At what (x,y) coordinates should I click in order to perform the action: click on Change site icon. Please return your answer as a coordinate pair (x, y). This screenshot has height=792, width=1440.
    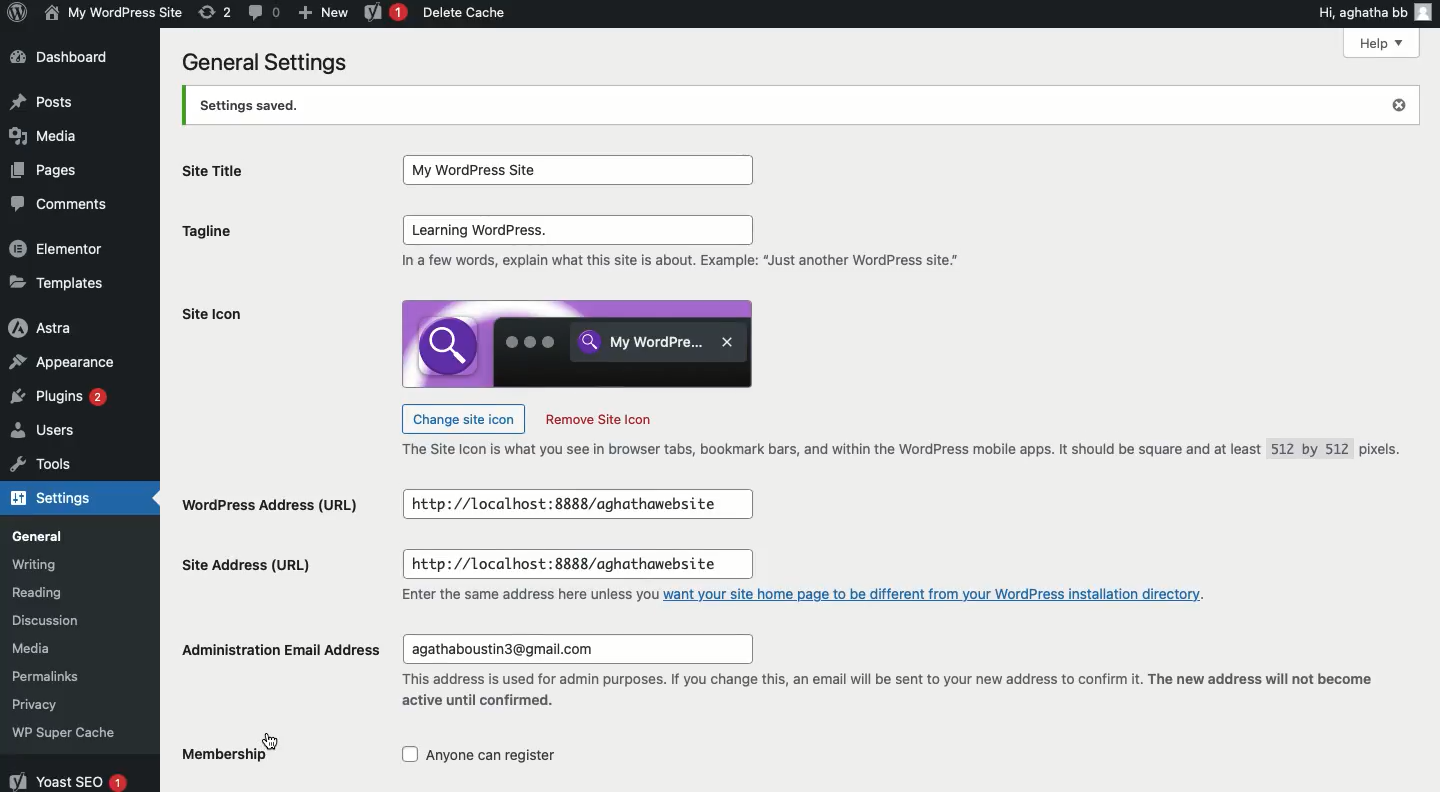
    Looking at the image, I should click on (463, 419).